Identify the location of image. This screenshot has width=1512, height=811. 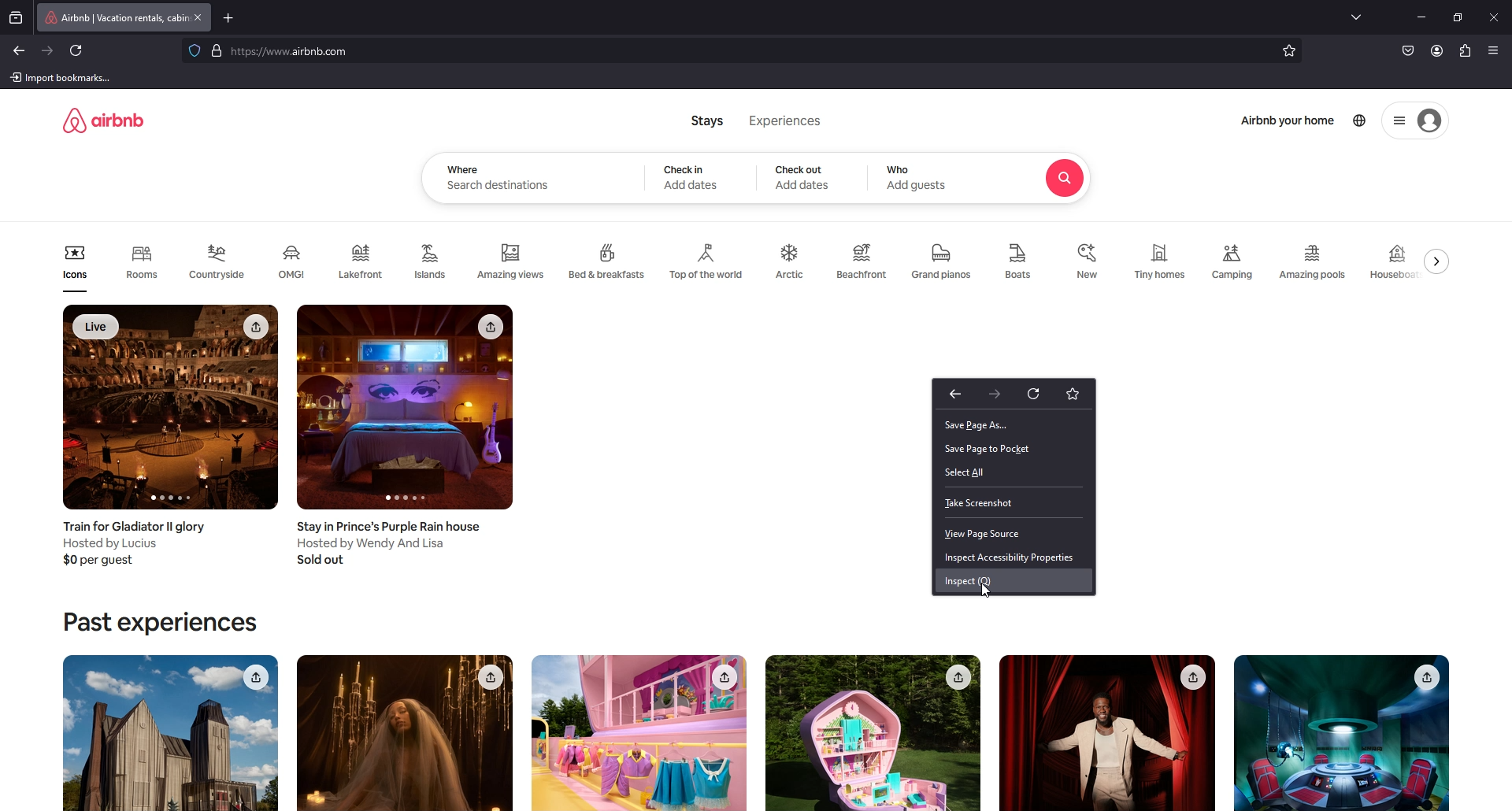
(172, 408).